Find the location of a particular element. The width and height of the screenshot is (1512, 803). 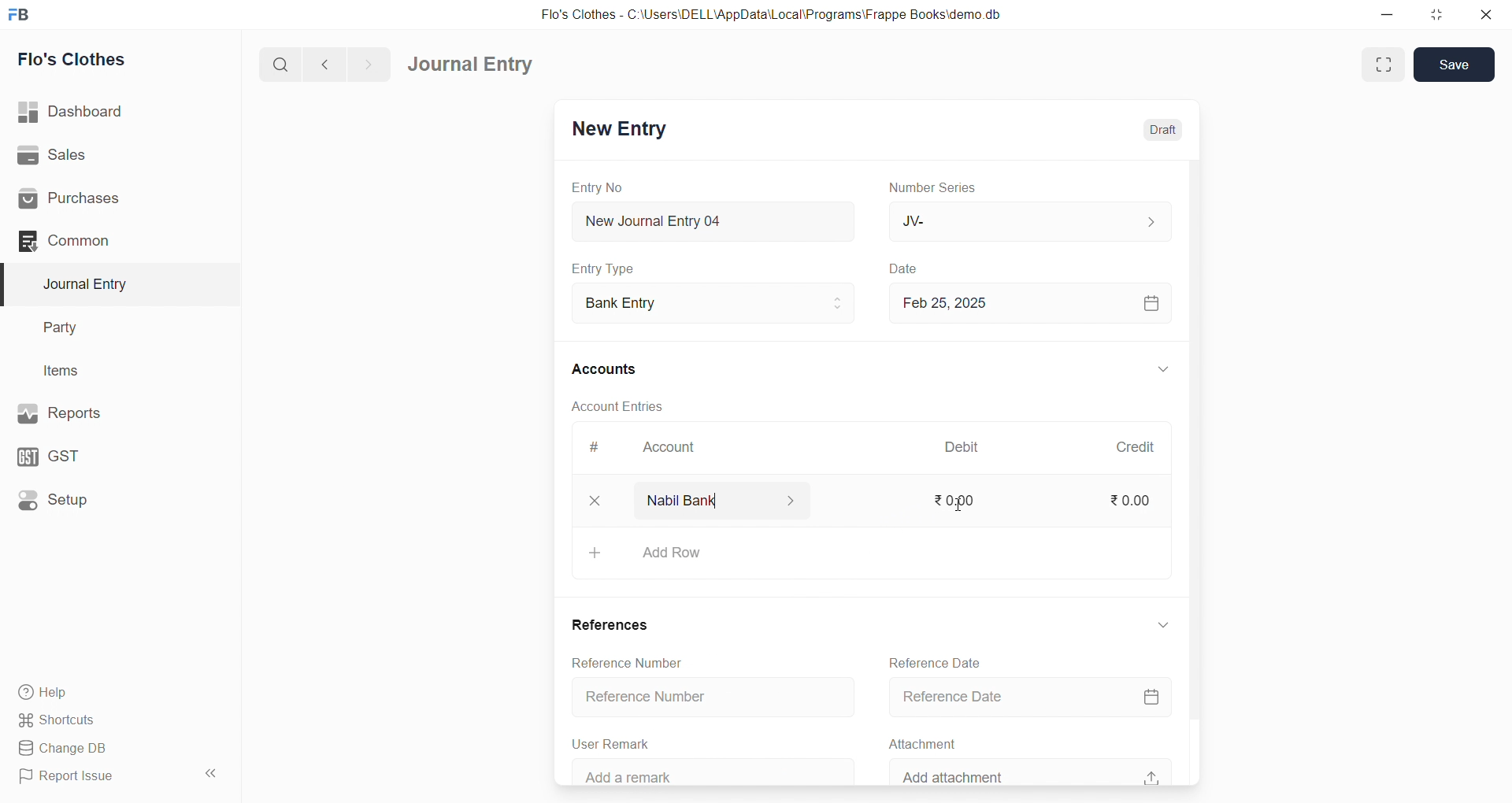

Flo's Clothes - C:\Users\DELL\AppData\Local\Programs\Frappe Books\demo.db is located at coordinates (783, 16).